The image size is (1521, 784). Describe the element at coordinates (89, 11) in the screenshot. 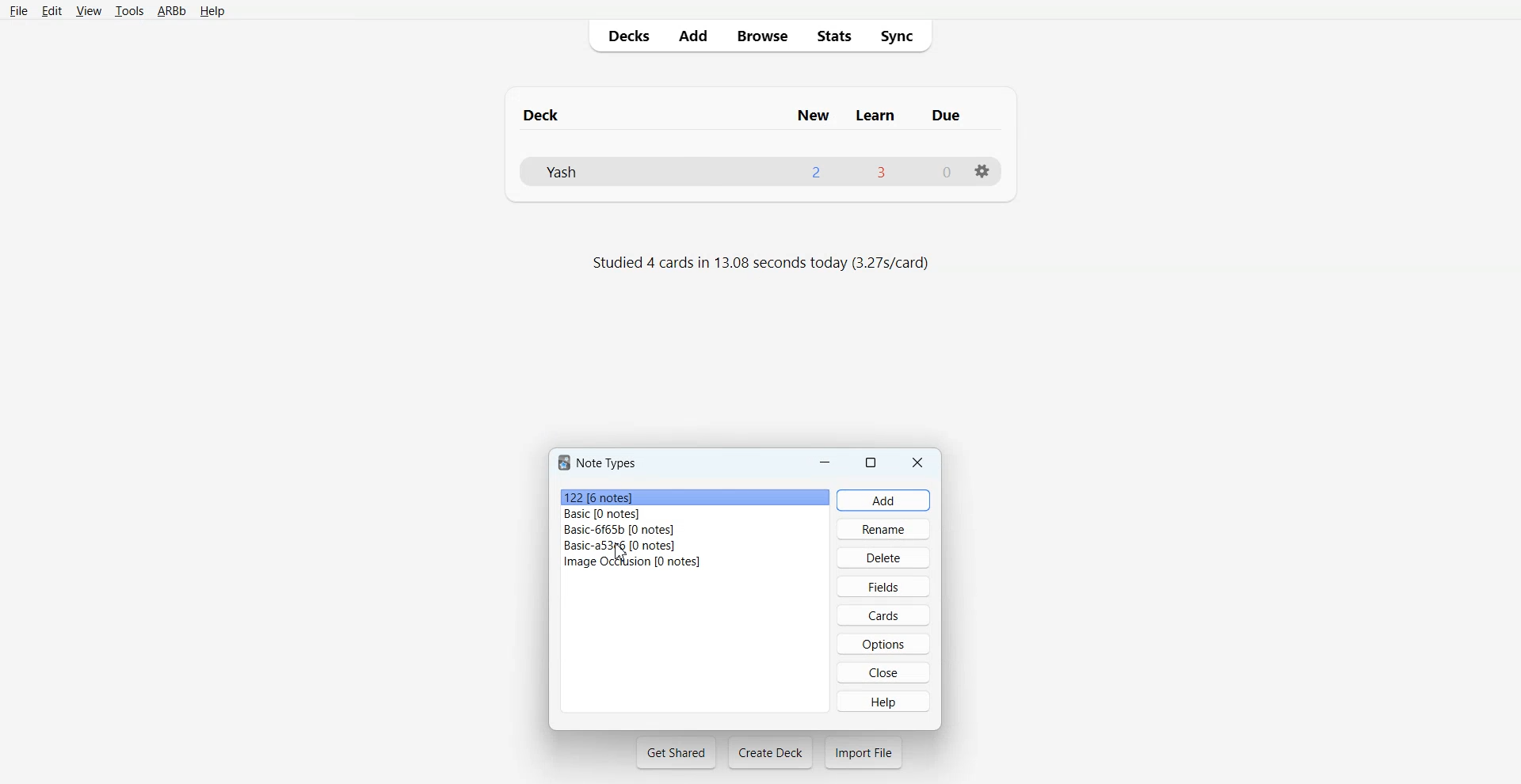

I see `View` at that location.